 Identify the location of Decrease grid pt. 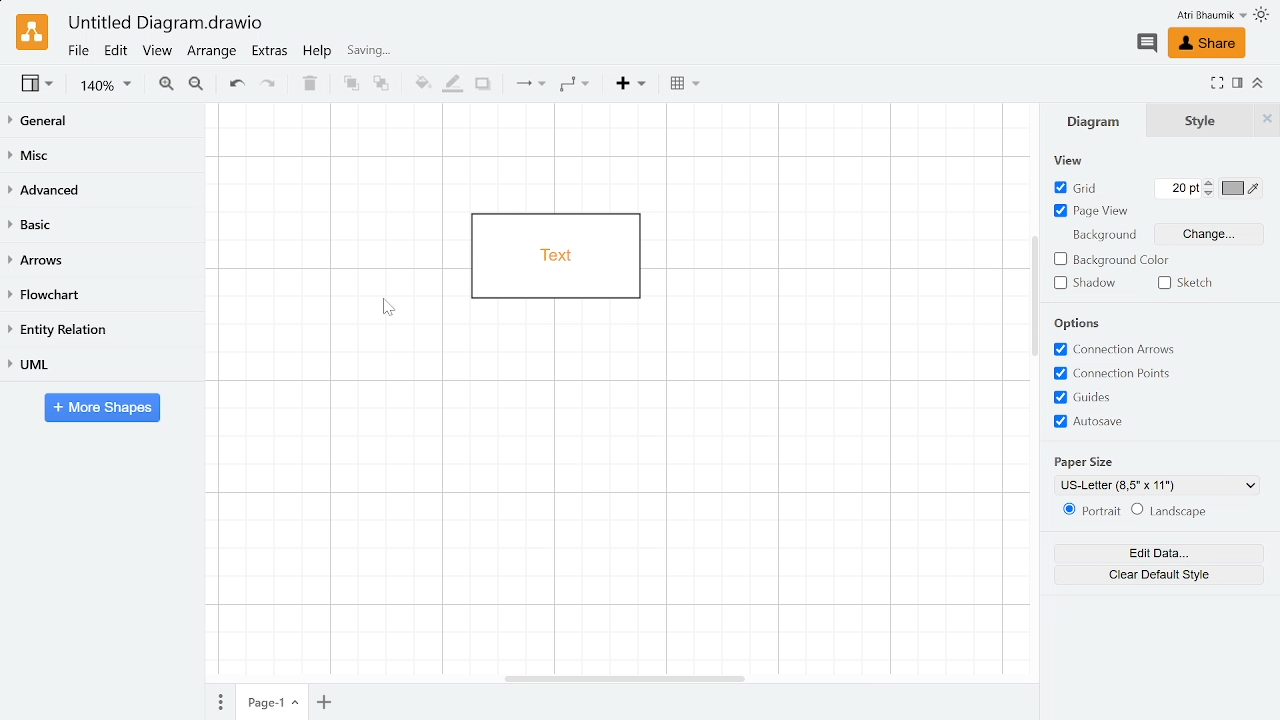
(1211, 193).